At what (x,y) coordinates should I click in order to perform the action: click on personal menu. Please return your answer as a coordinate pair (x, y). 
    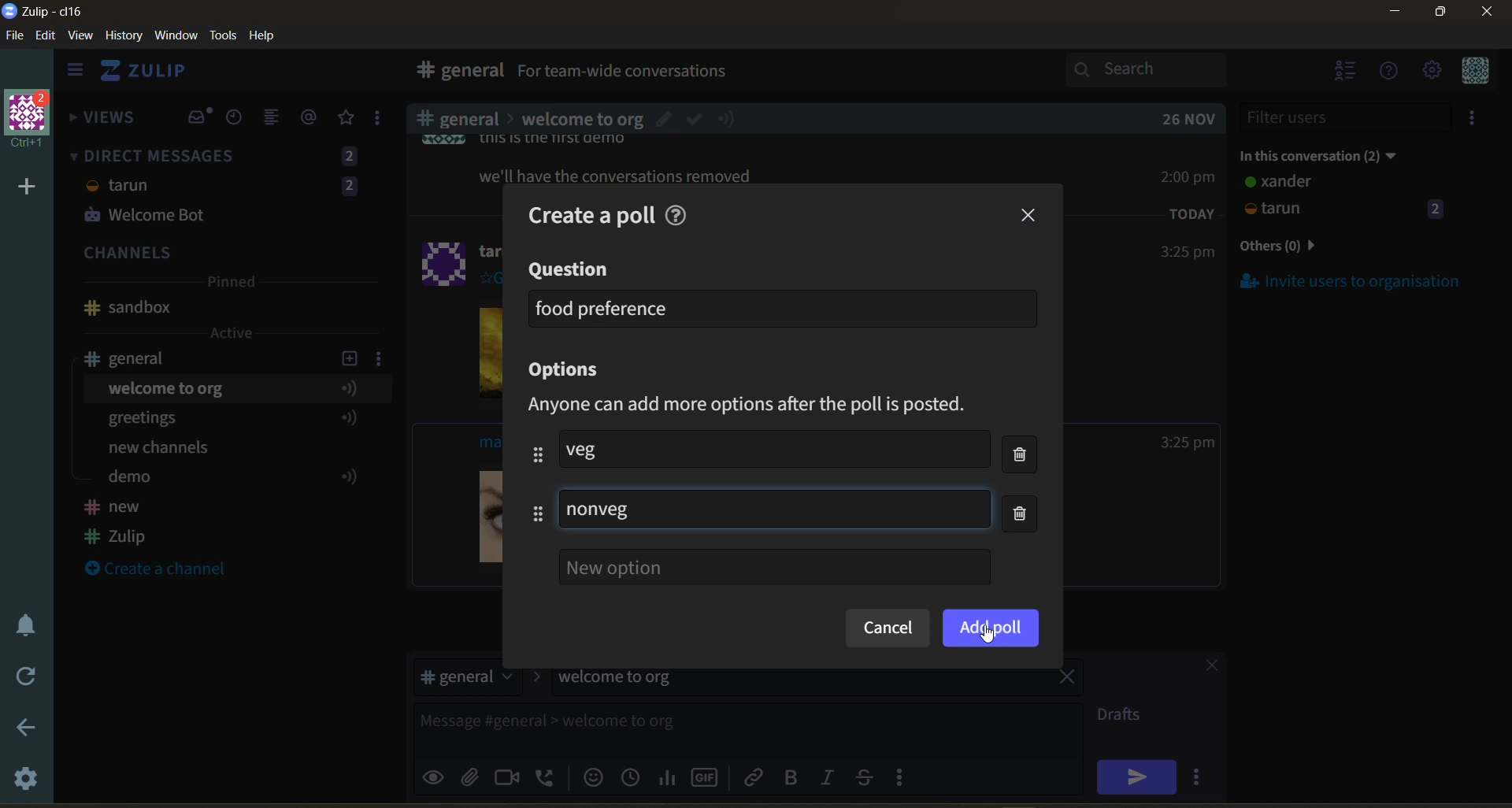
    Looking at the image, I should click on (1473, 72).